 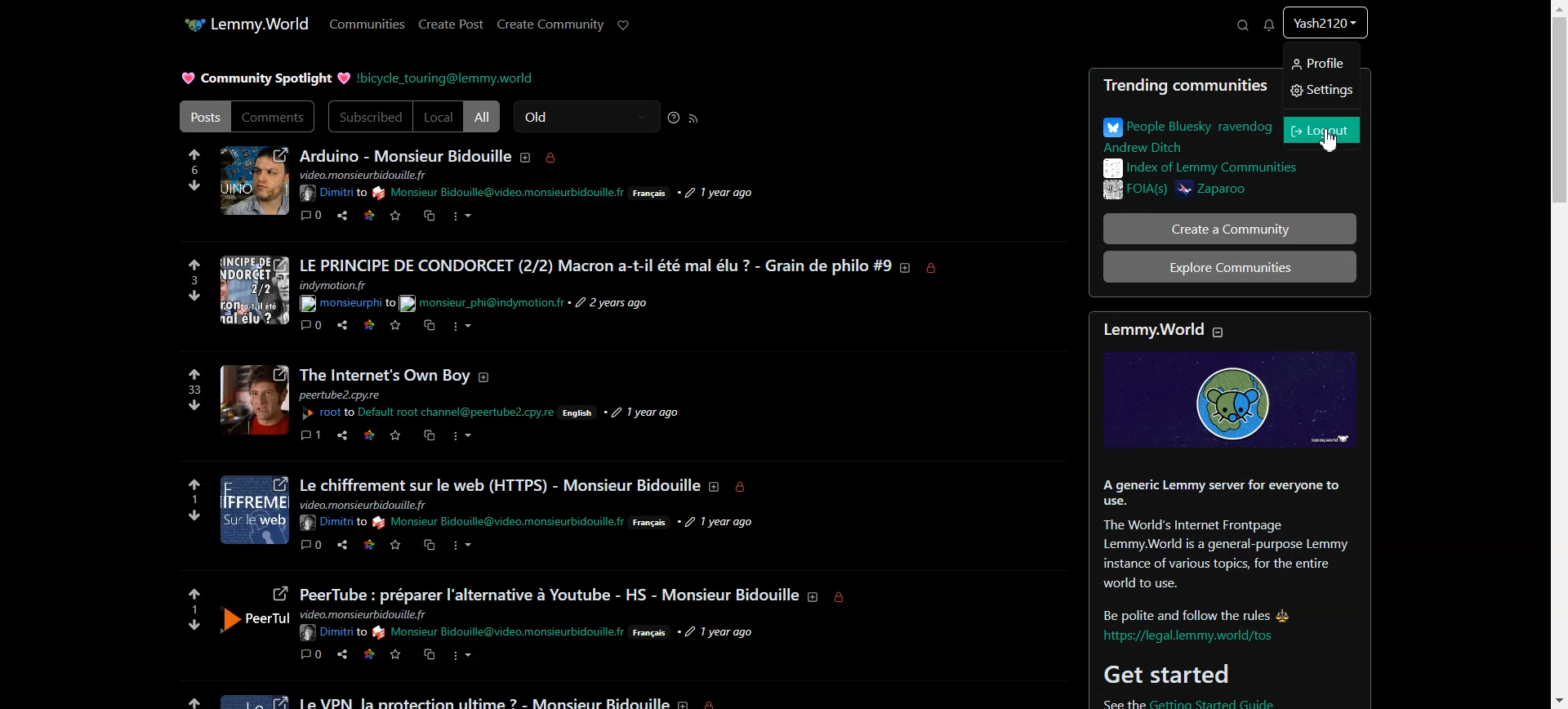 I want to click on Communities, so click(x=367, y=23).